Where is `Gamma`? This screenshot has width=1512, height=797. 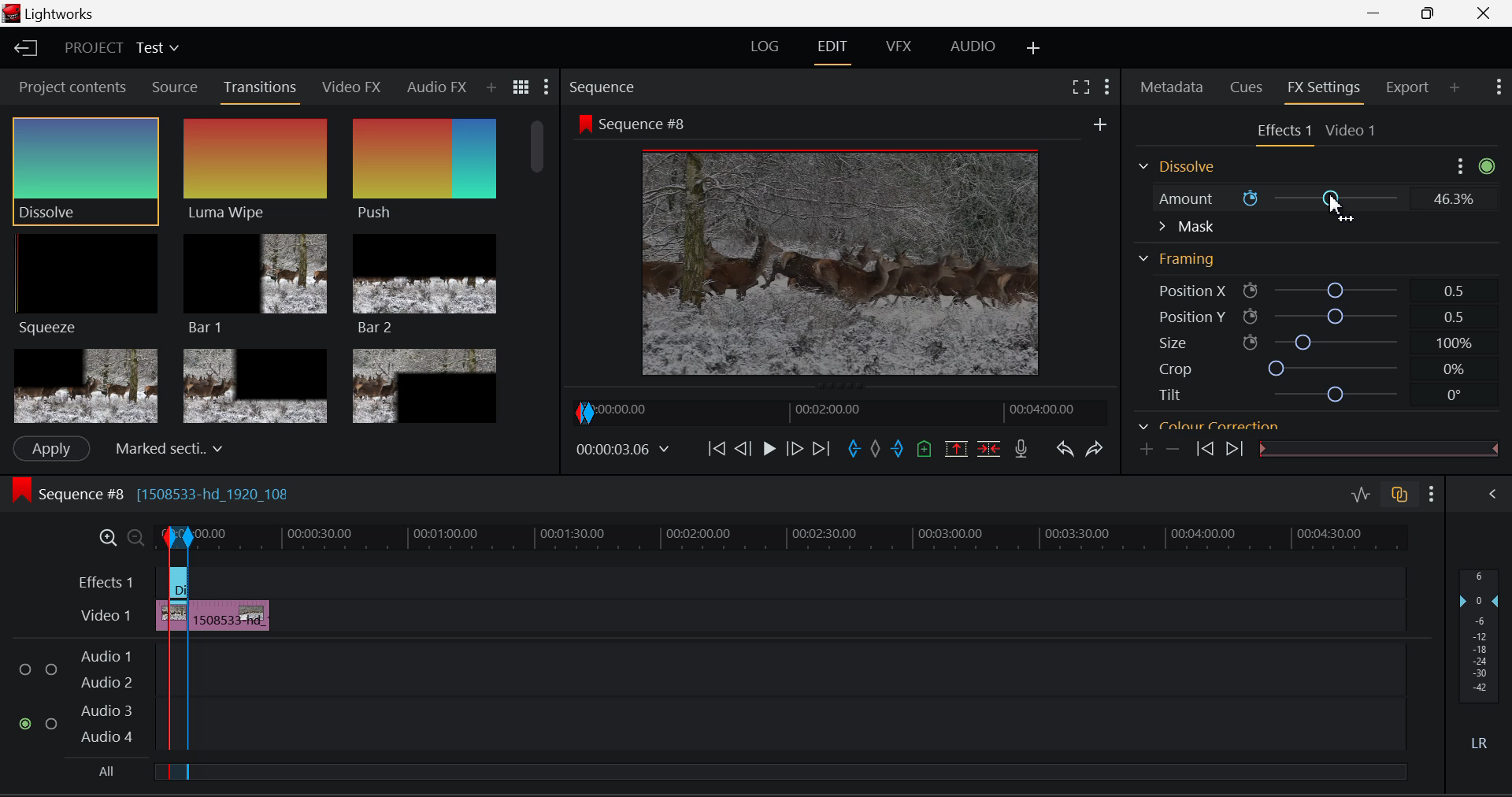 Gamma is located at coordinates (1293, 425).